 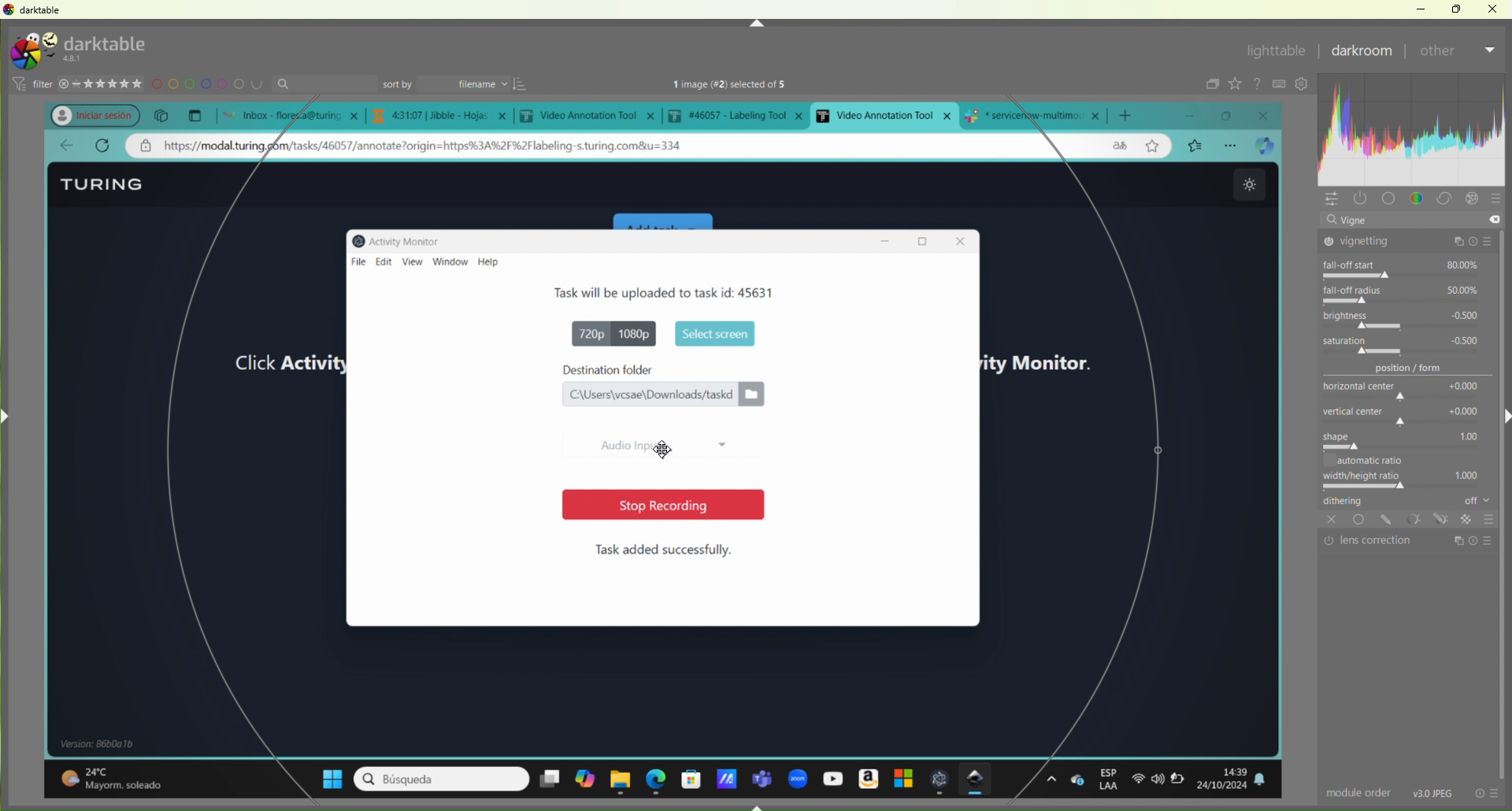 I want to click on file location, so click(x=662, y=394).